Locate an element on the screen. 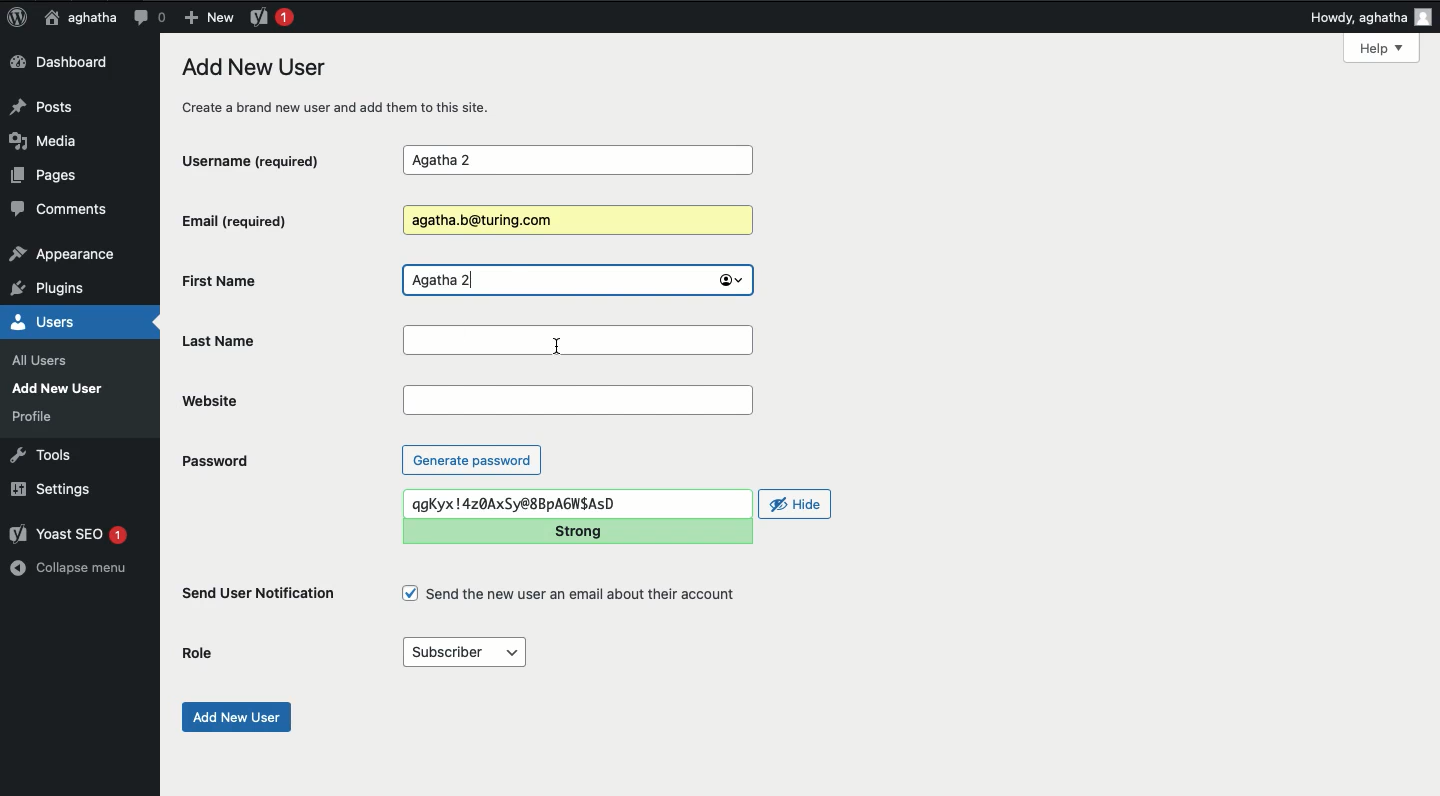 This screenshot has height=796, width=1440. Users is located at coordinates (64, 322).